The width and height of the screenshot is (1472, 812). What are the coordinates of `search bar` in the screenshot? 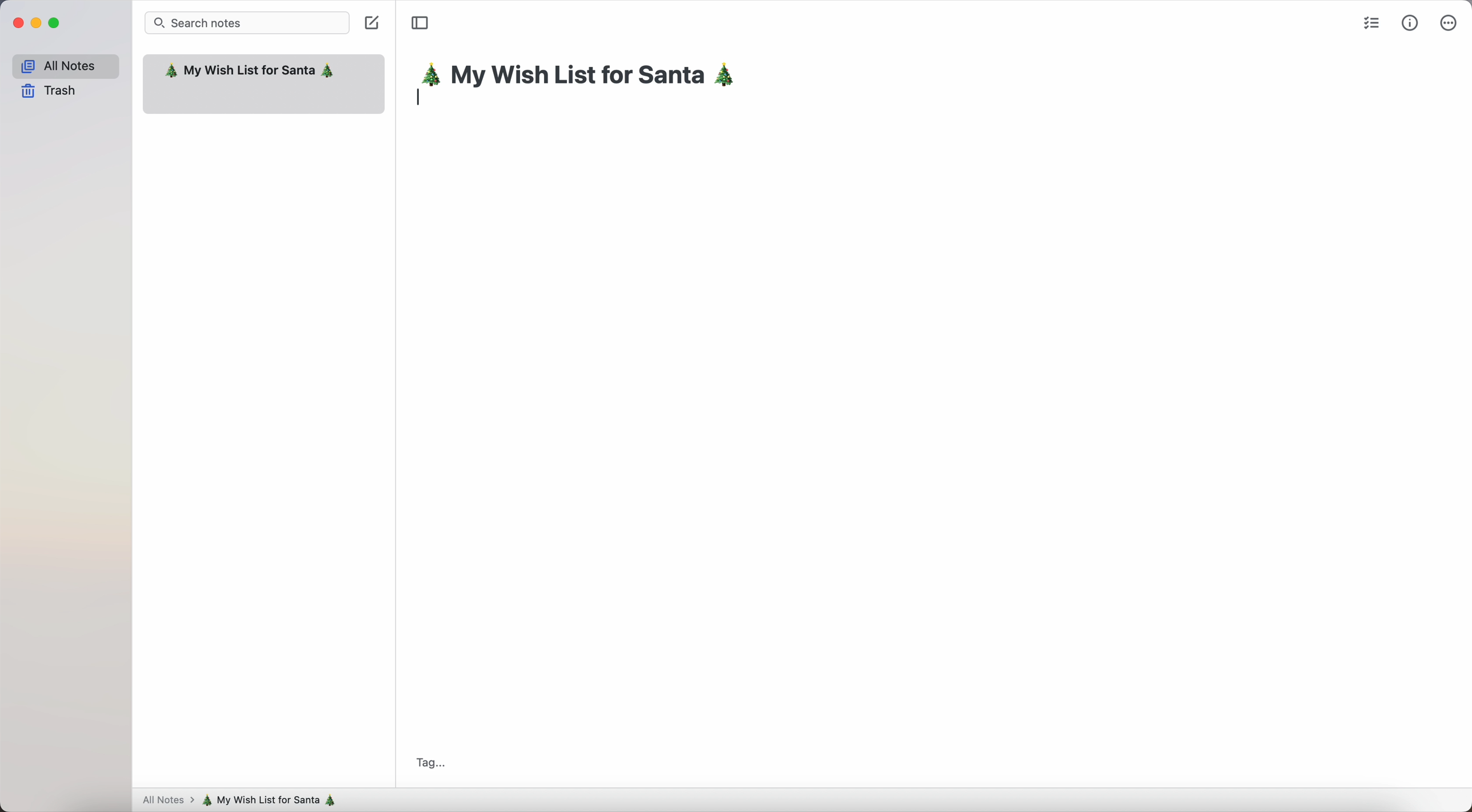 It's located at (247, 22).